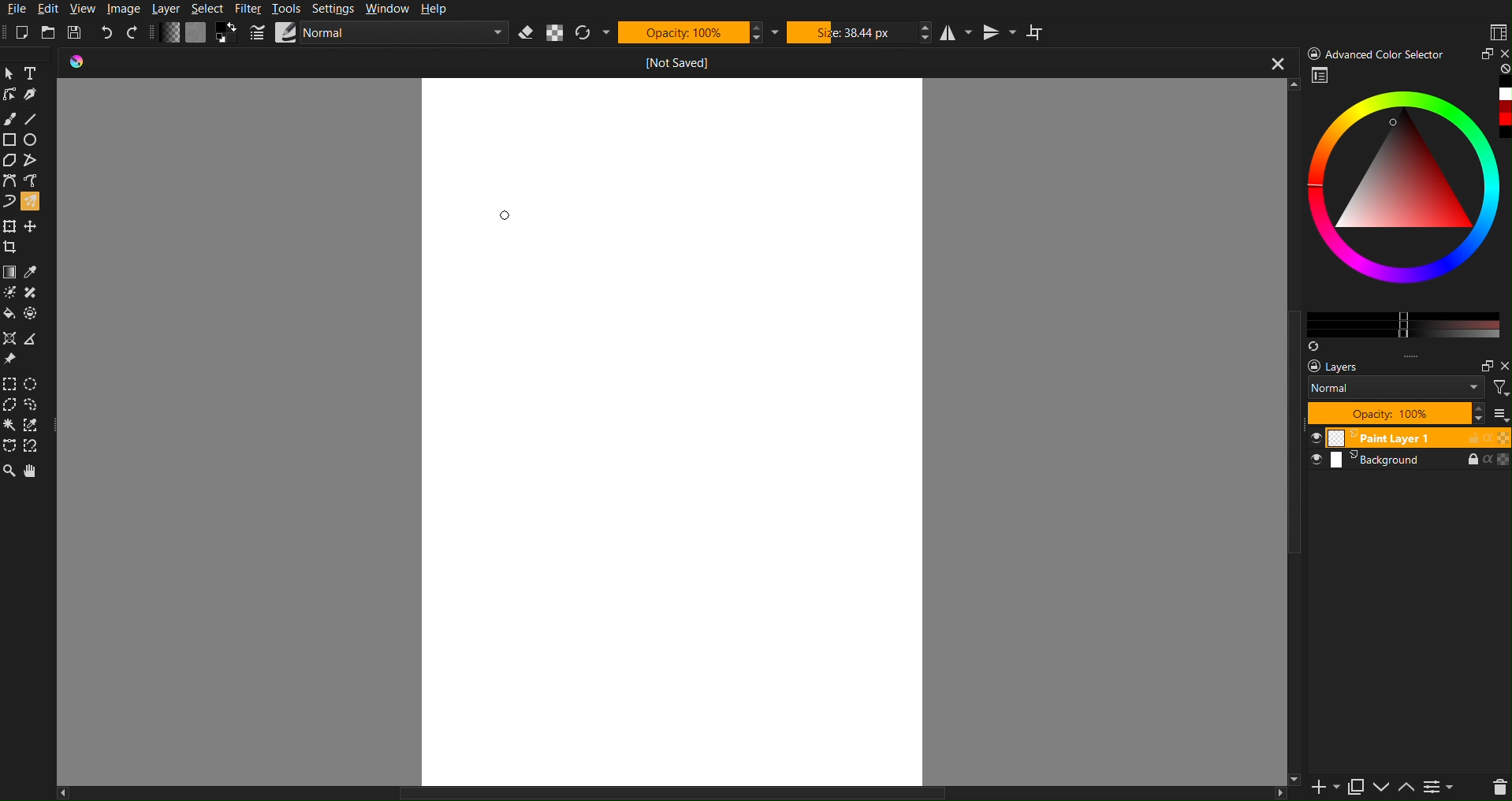 Image resolution: width=1512 pixels, height=801 pixels. I want to click on Opacity, so click(692, 32).